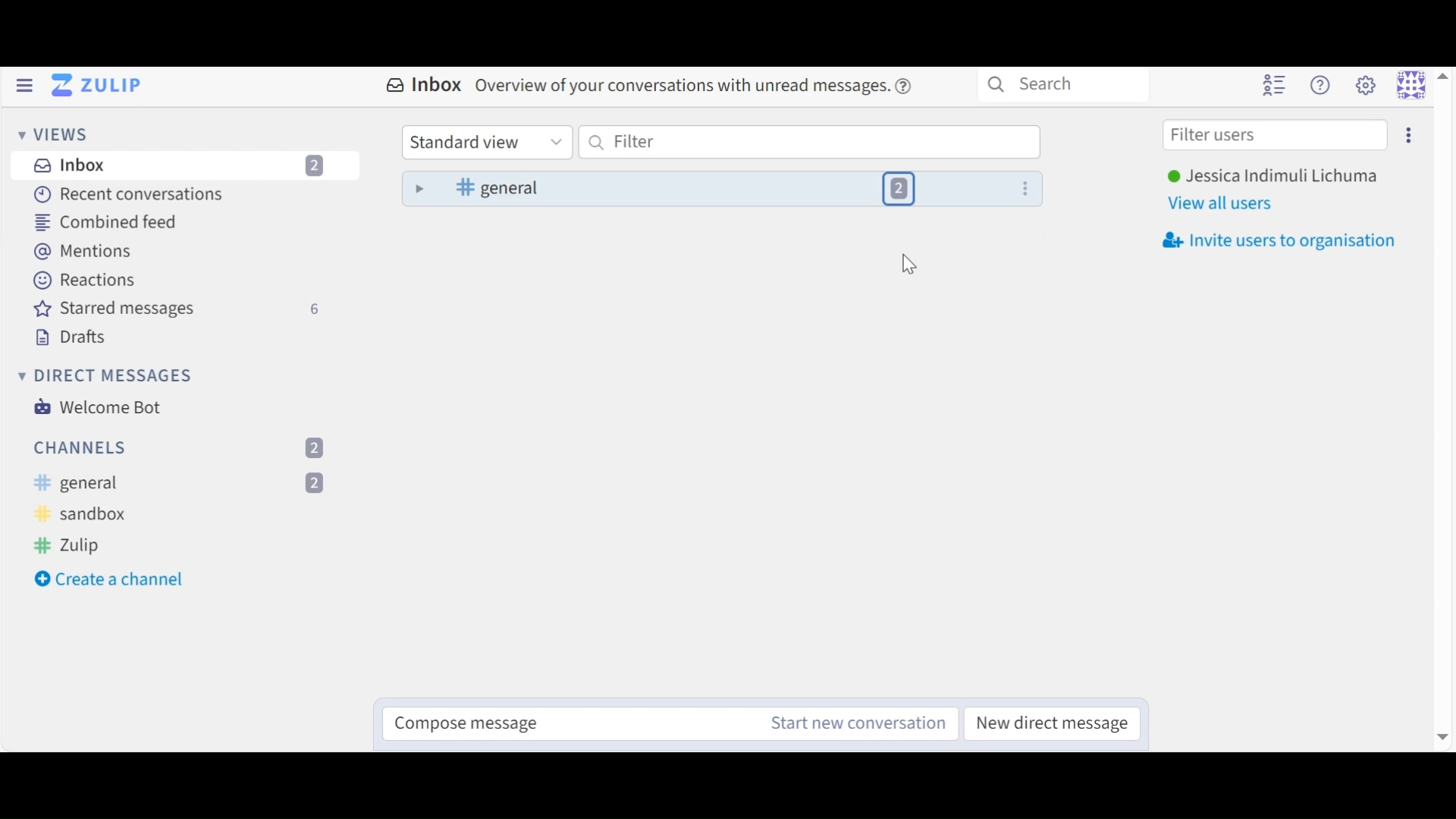 The height and width of the screenshot is (819, 1456). Describe the element at coordinates (95, 87) in the screenshot. I see `Go to Home View (Inbox)` at that location.